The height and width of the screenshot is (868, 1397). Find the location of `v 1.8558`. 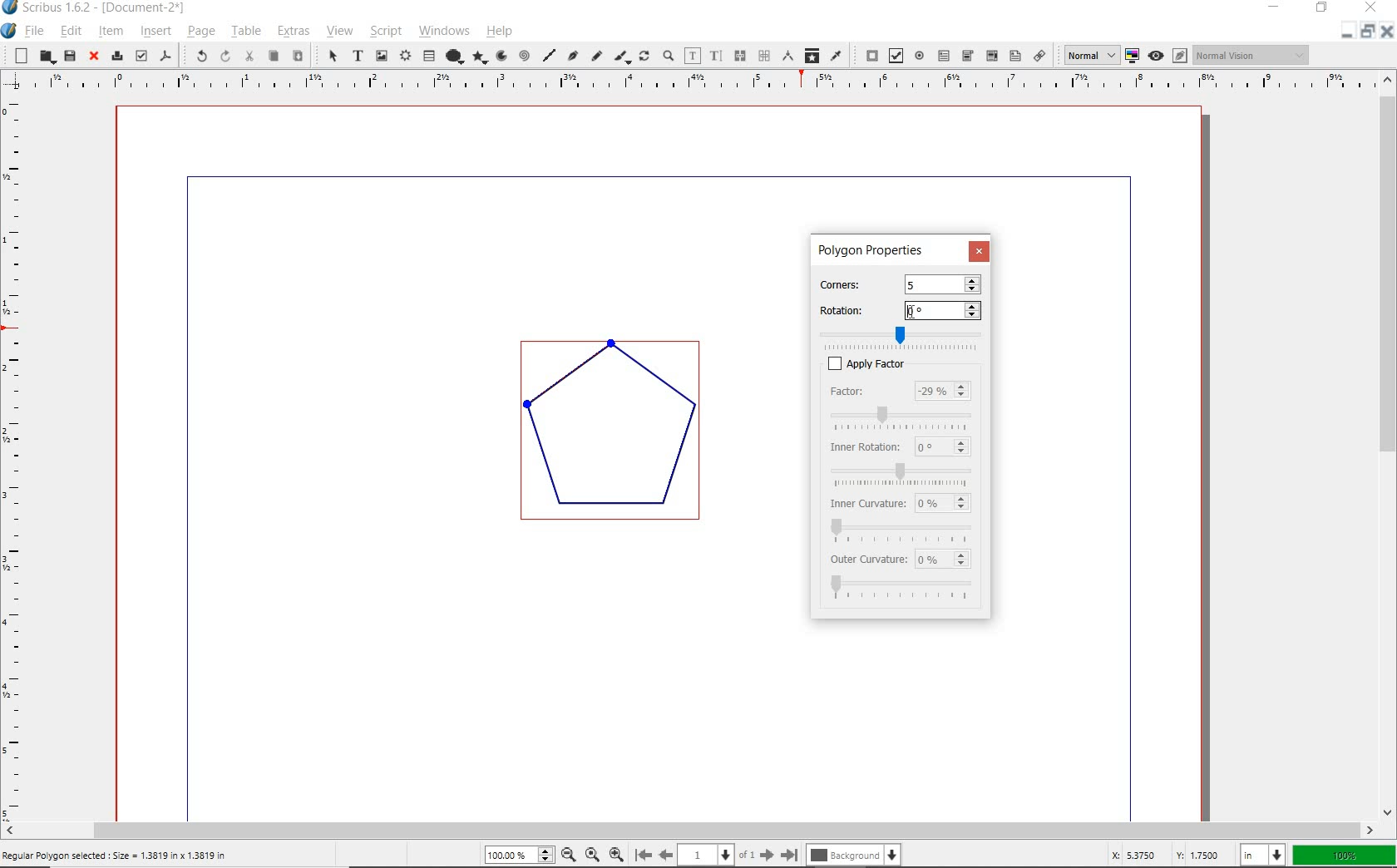

v 1.8558 is located at coordinates (1198, 852).